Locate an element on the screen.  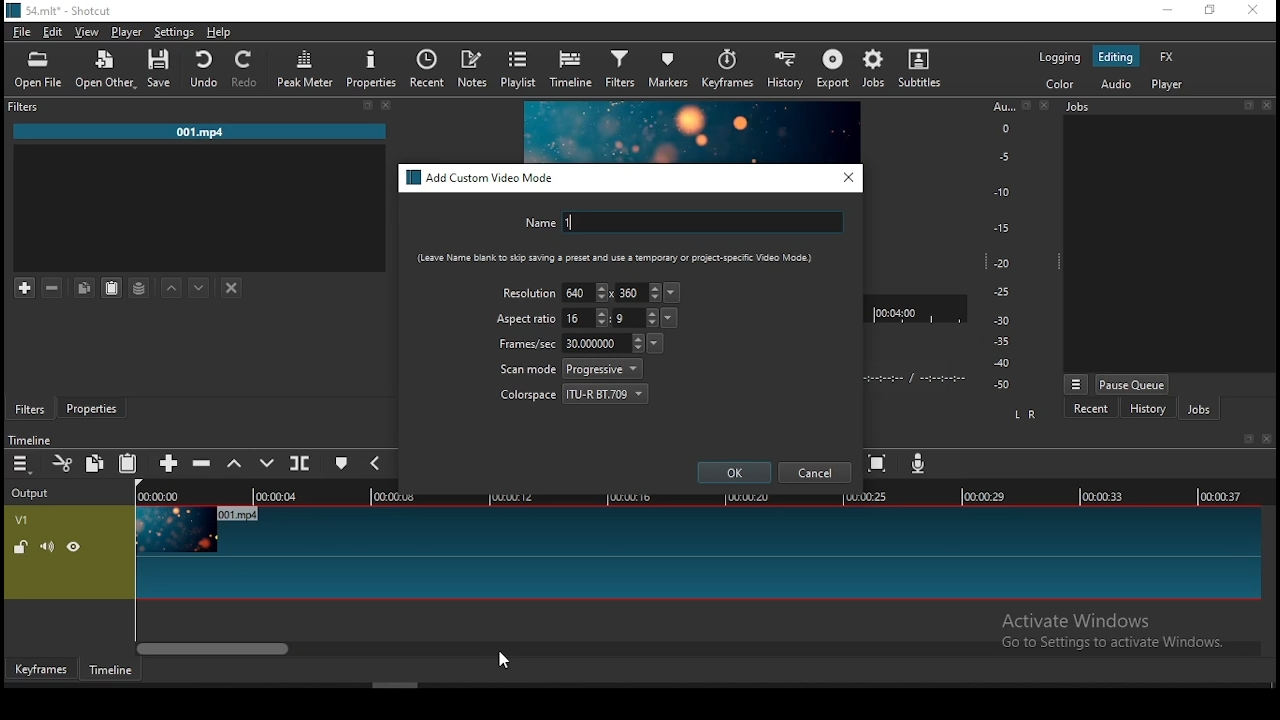
filter is located at coordinates (621, 70).